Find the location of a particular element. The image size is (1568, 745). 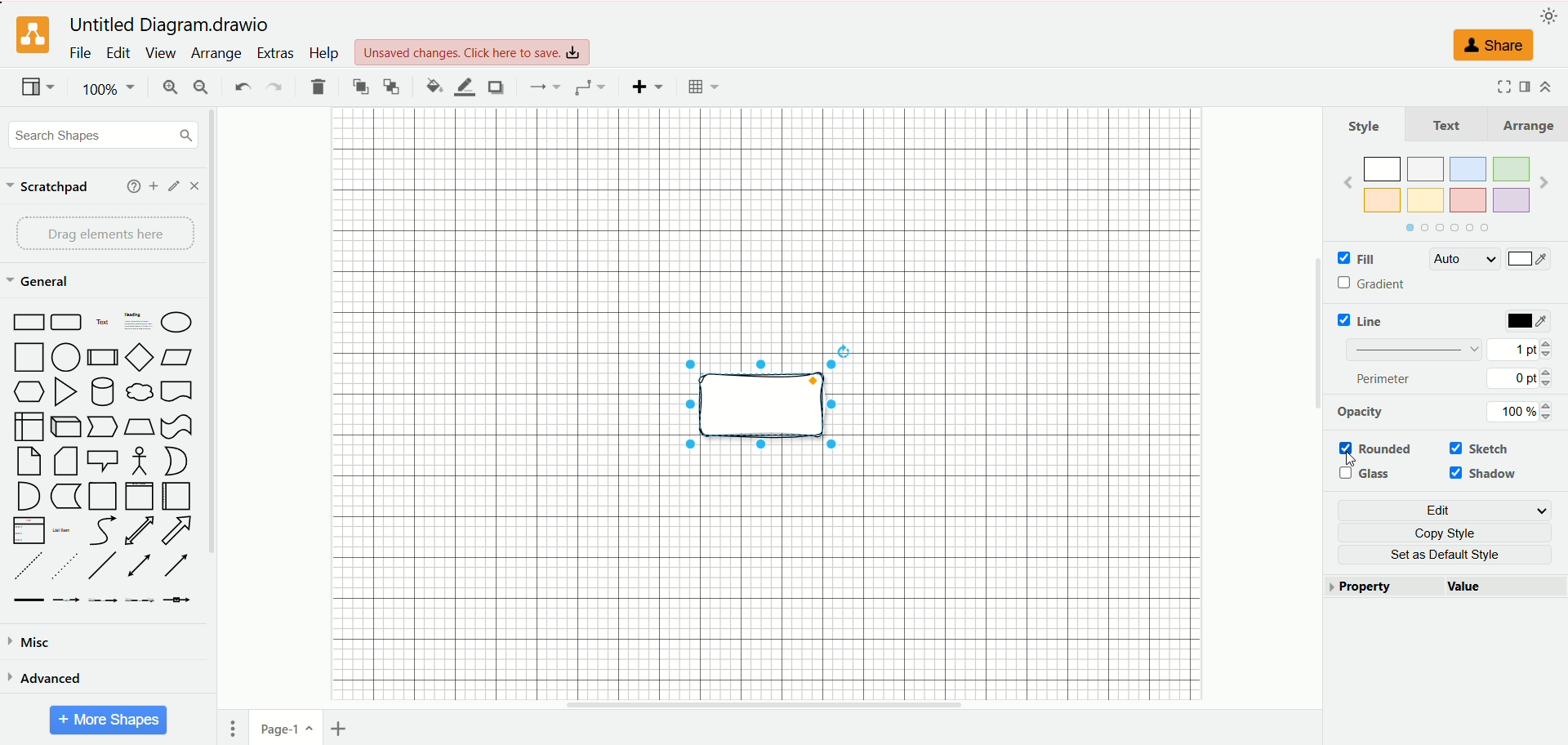

color is located at coordinates (1528, 261).